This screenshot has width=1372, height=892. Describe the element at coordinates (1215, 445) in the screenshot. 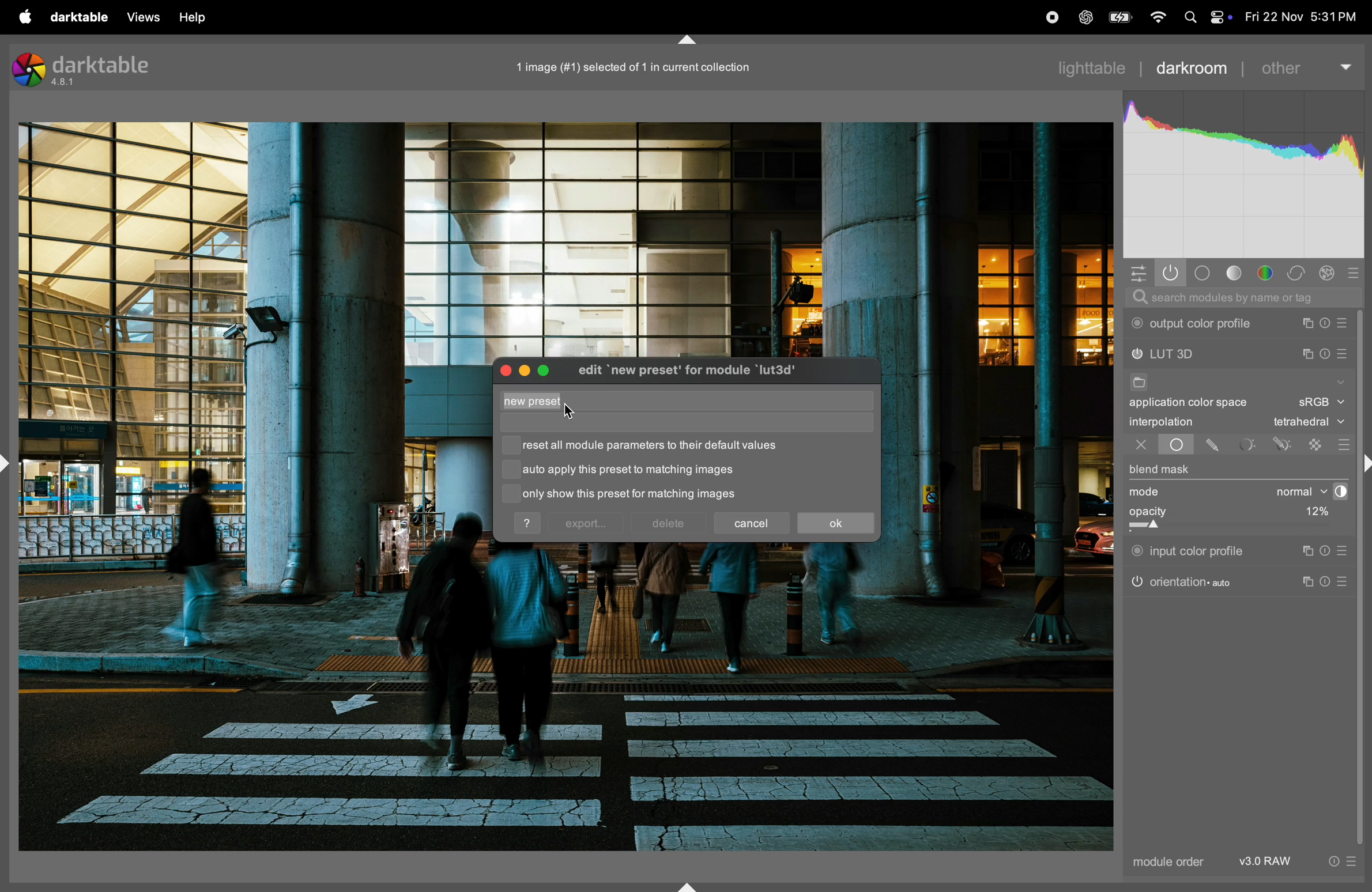

I see `drawn mask` at that location.